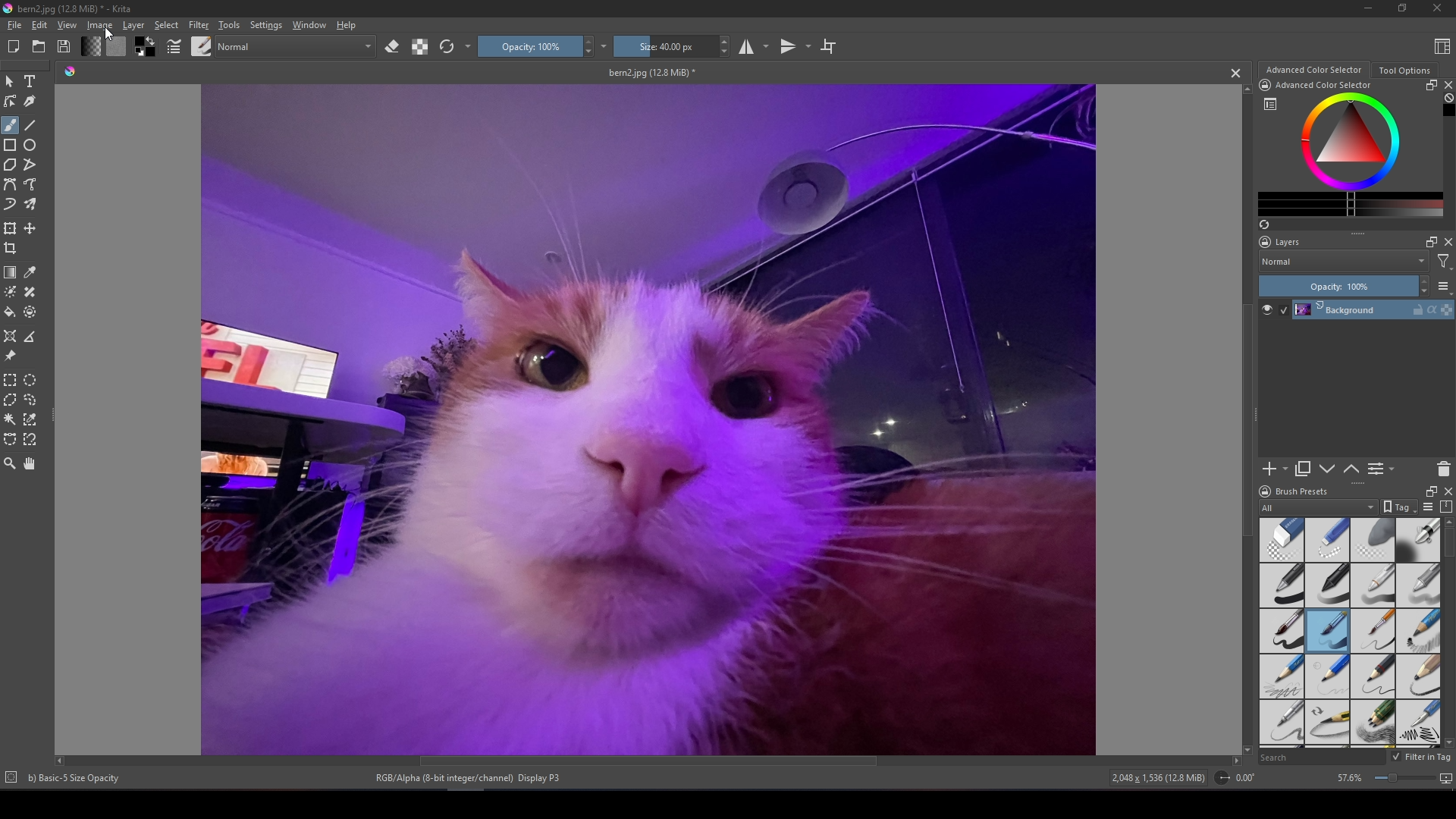 The height and width of the screenshot is (819, 1456). Describe the element at coordinates (1276, 309) in the screenshot. I see `Layer visibility` at that location.